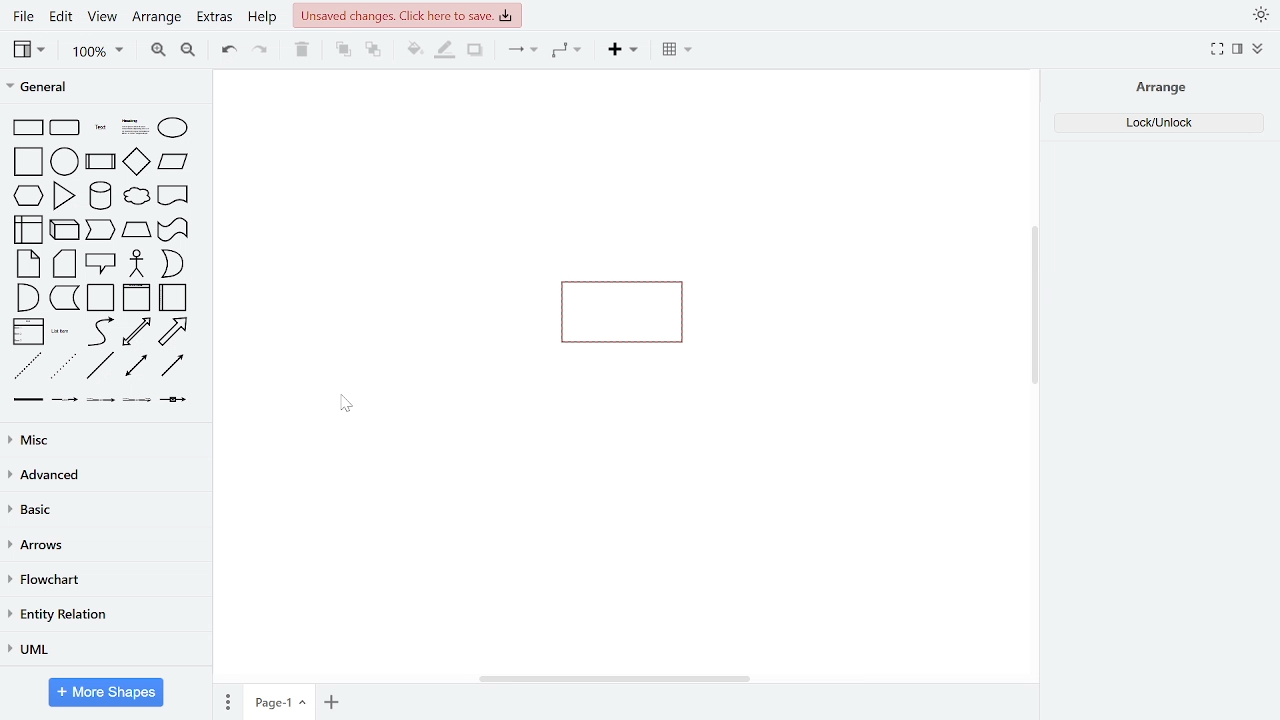 The height and width of the screenshot is (720, 1280). What do you see at coordinates (1260, 13) in the screenshot?
I see `appearence` at bounding box center [1260, 13].